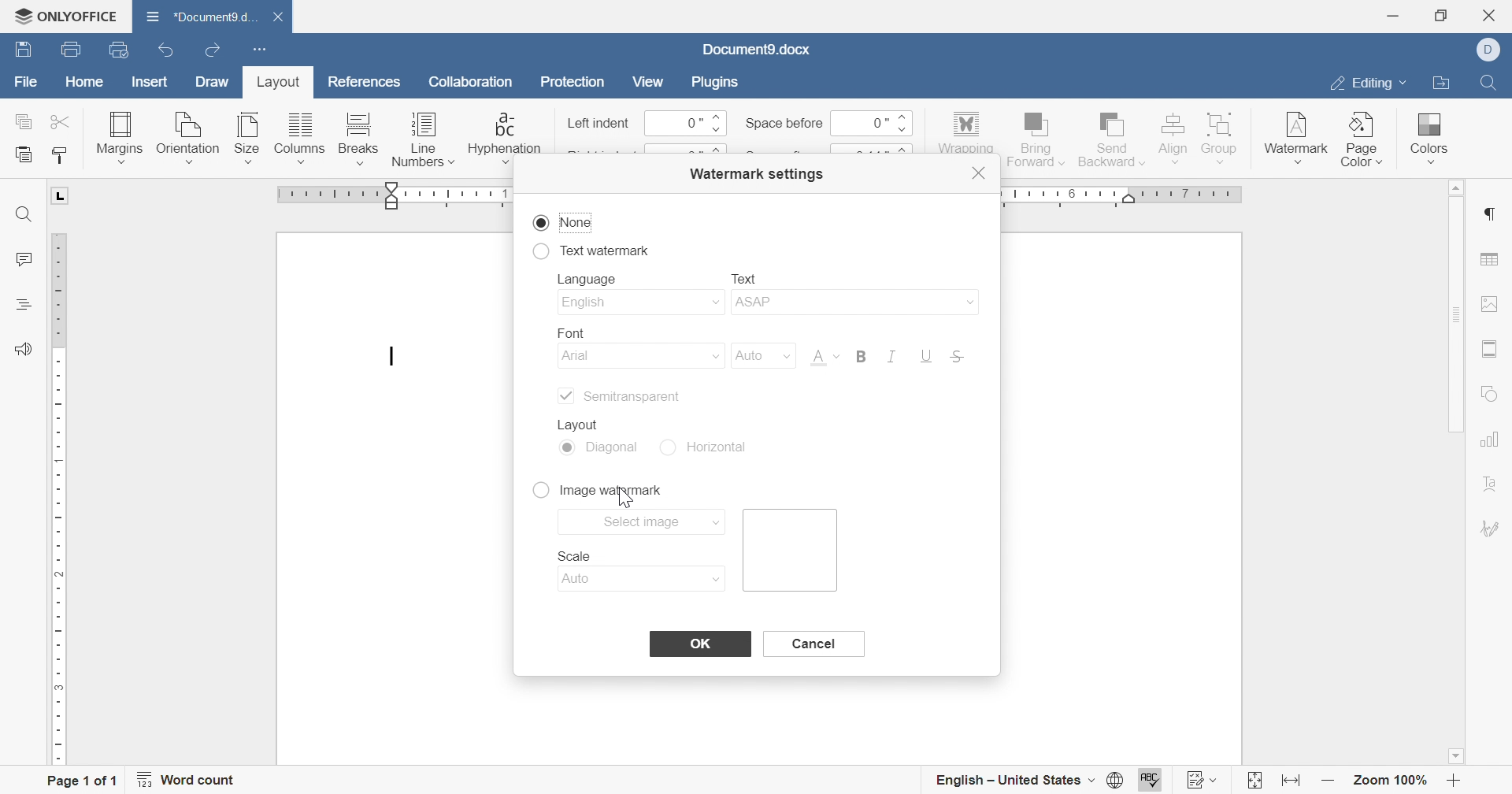 This screenshot has width=1512, height=794. What do you see at coordinates (1014, 781) in the screenshot?
I see `english - united states` at bounding box center [1014, 781].